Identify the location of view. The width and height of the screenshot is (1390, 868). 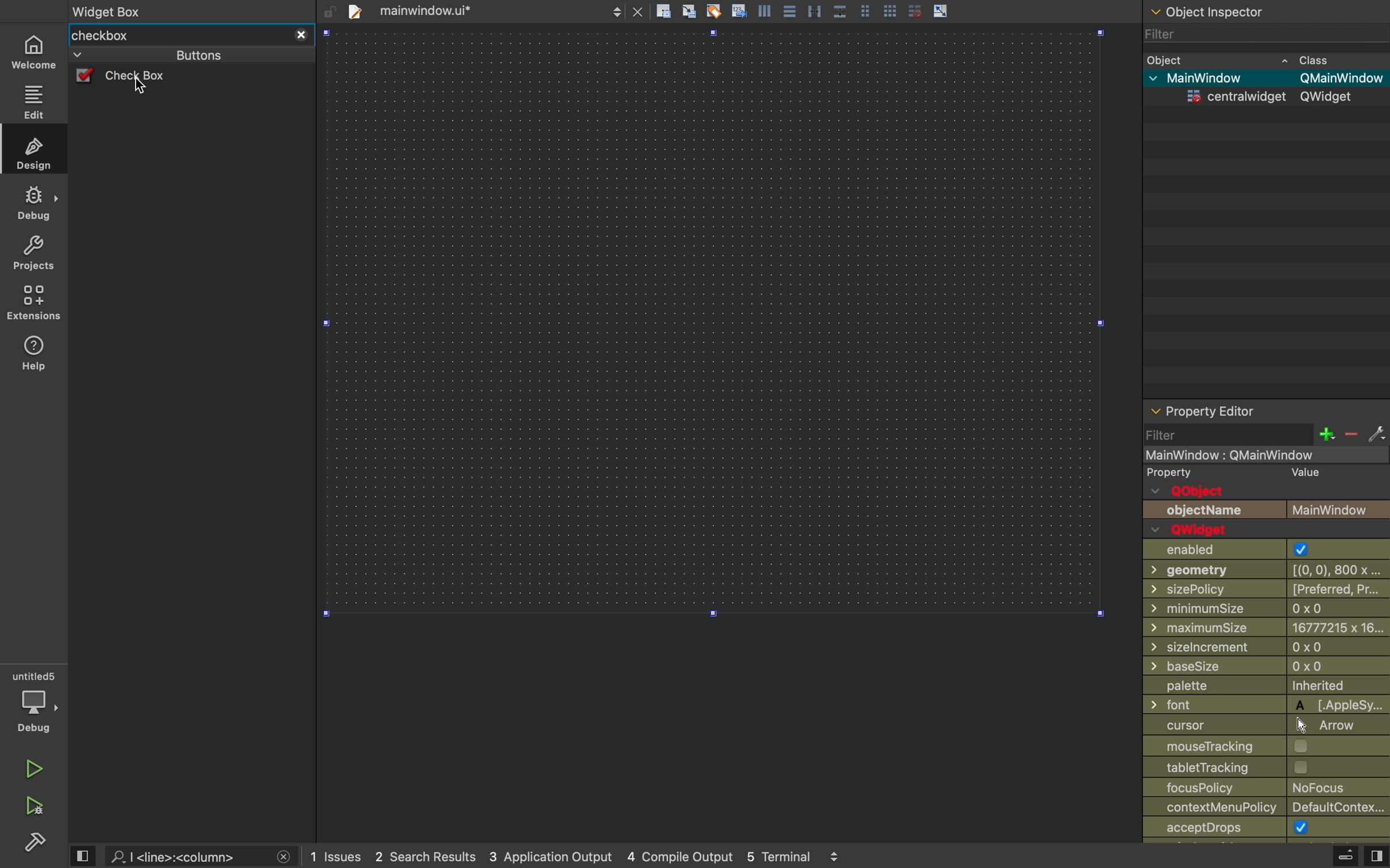
(84, 855).